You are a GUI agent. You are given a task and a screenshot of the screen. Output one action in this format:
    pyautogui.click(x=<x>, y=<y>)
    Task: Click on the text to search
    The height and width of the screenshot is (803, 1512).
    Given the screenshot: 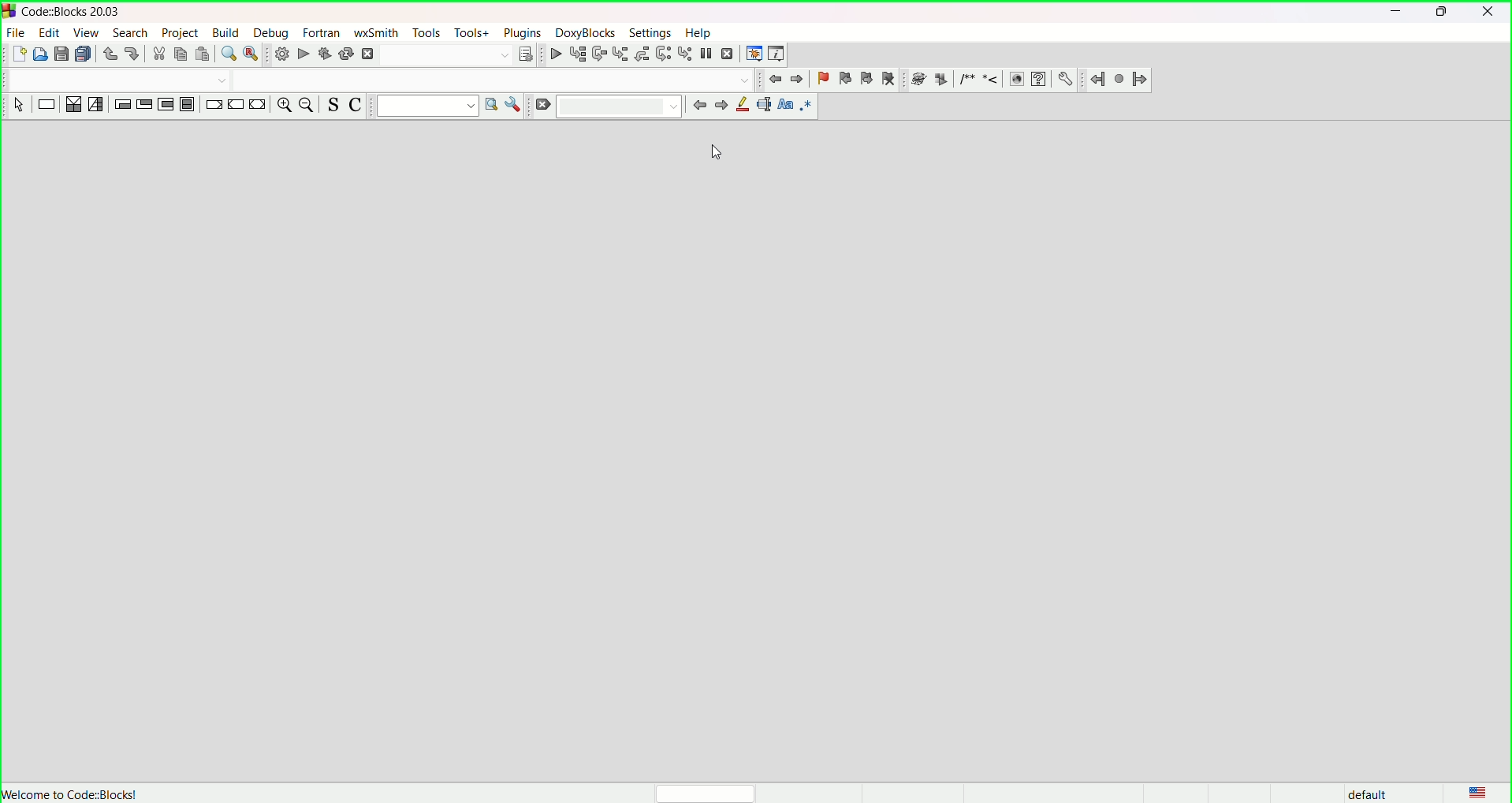 What is the action you would take?
    pyautogui.click(x=427, y=106)
    